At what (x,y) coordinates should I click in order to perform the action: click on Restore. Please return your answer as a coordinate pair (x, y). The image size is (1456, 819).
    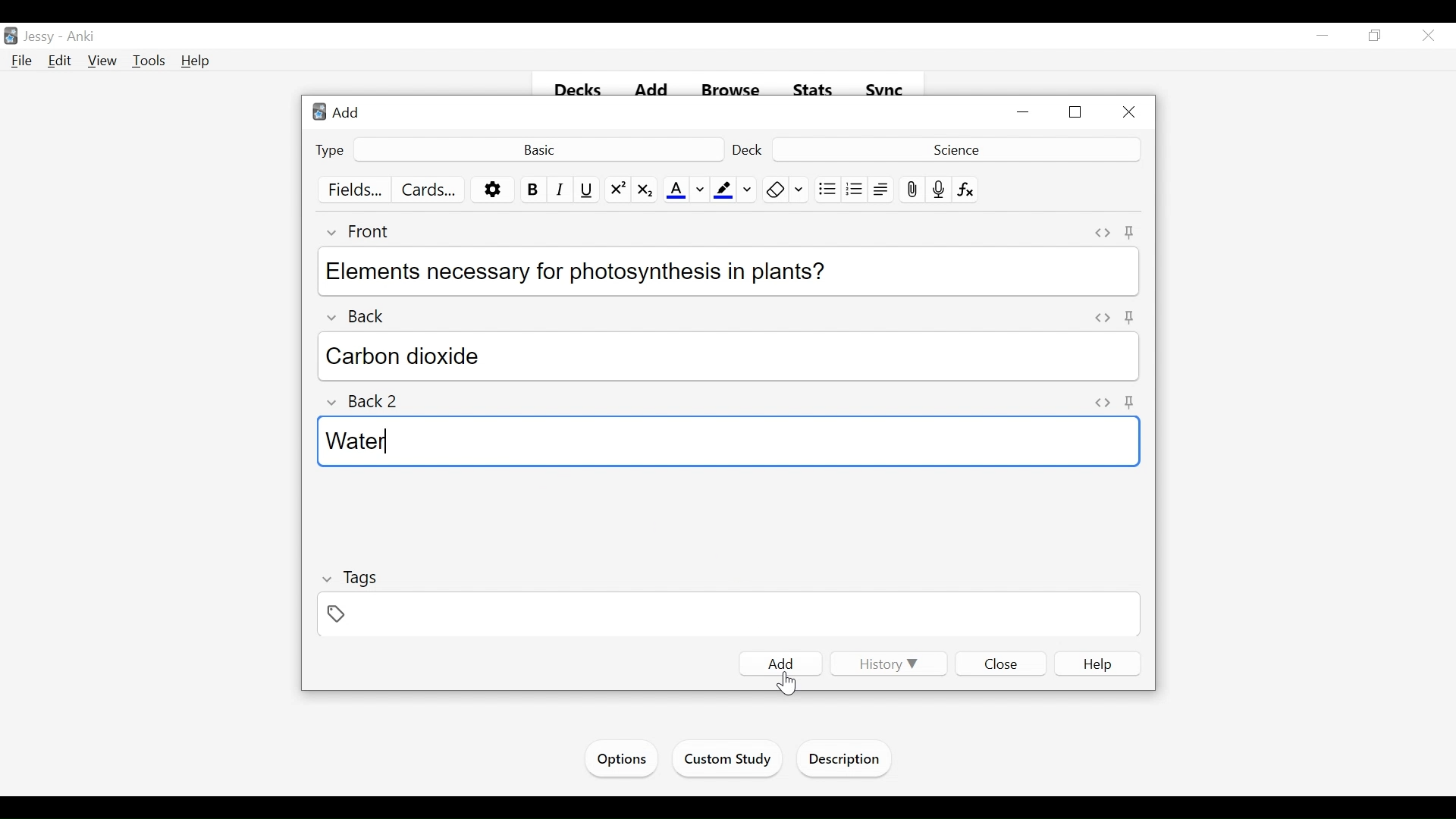
    Looking at the image, I should click on (1077, 113).